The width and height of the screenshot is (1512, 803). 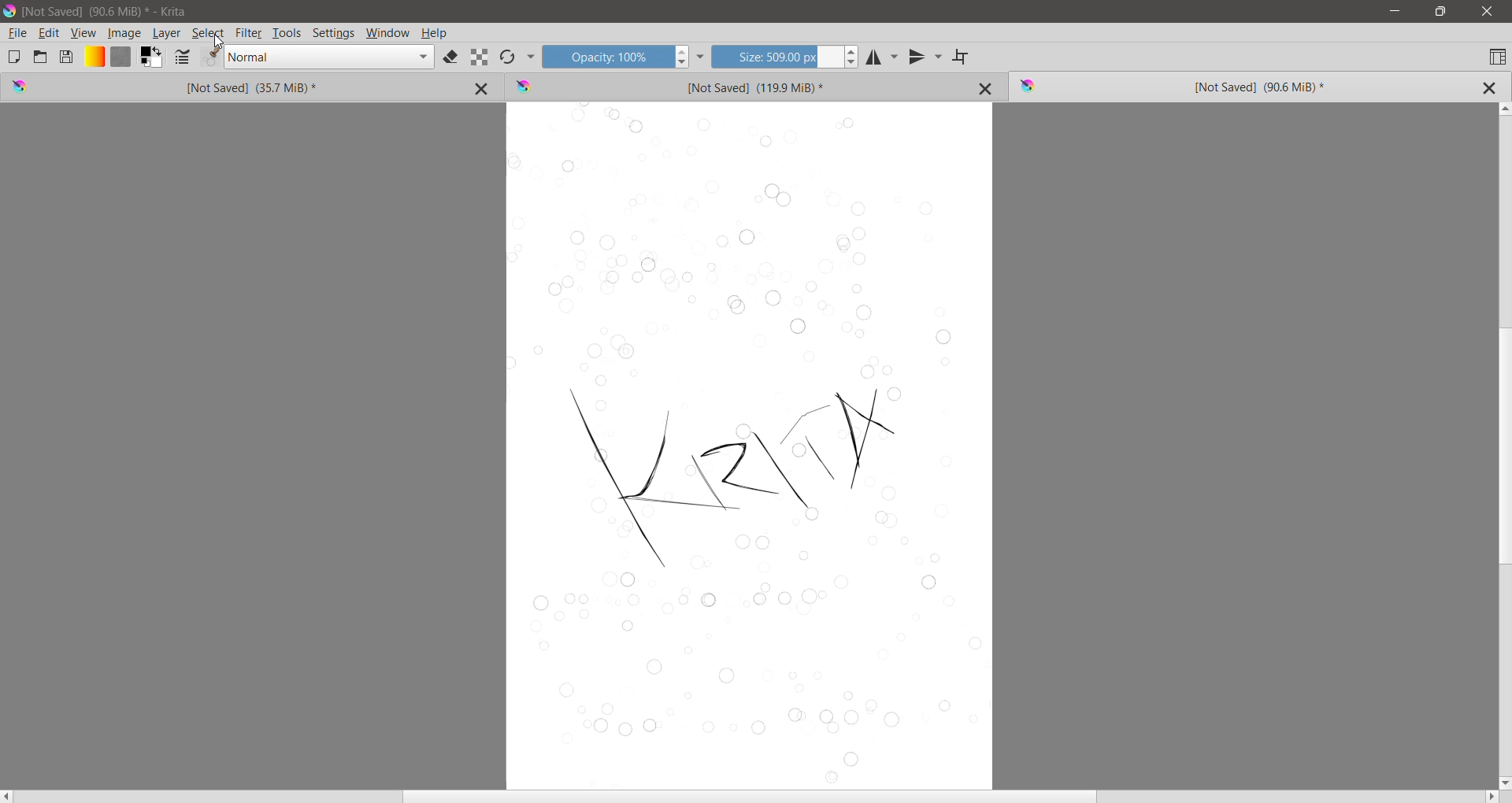 I want to click on Reload Original Preset, so click(x=507, y=57).